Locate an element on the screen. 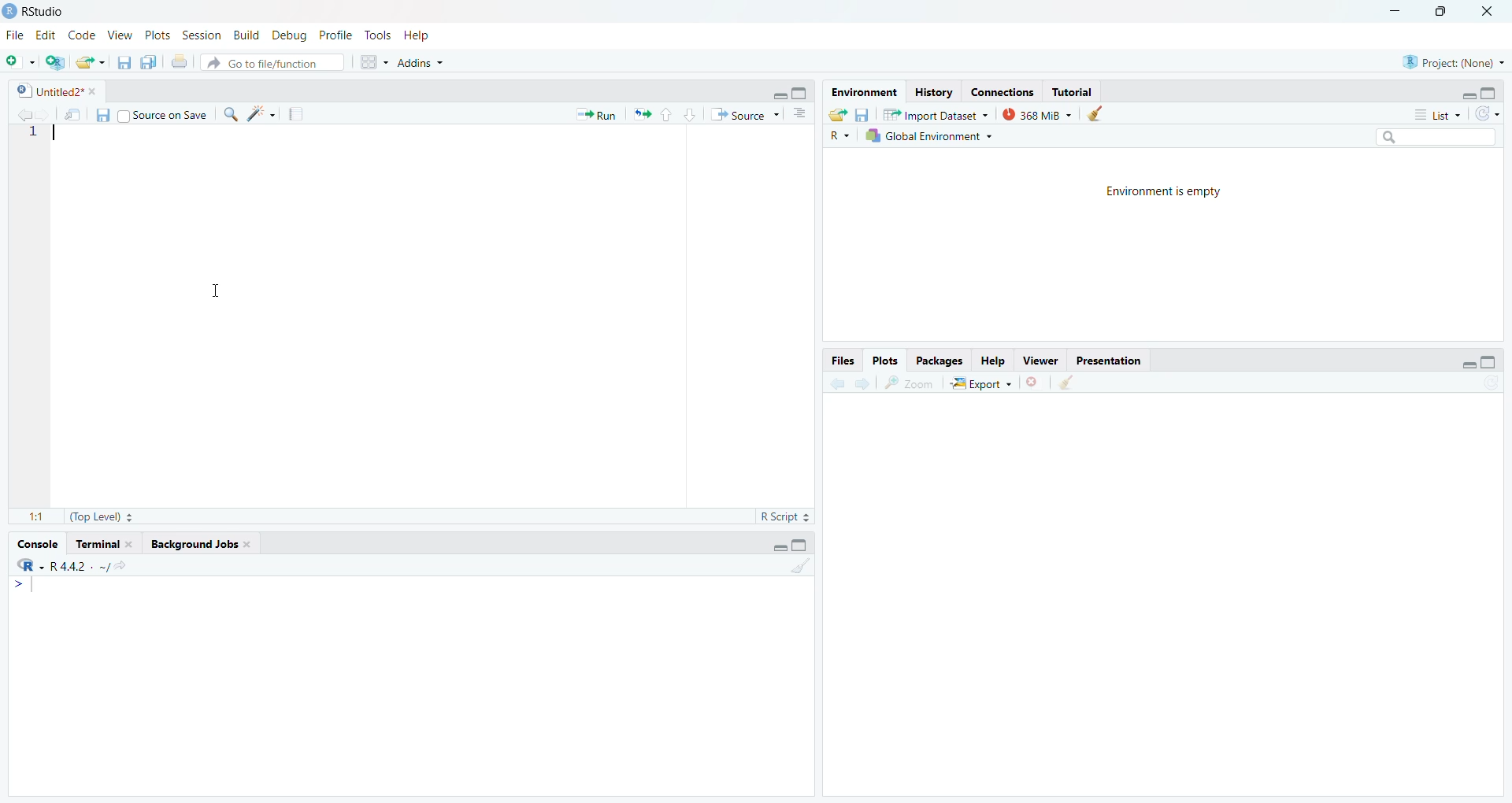 The image size is (1512, 803). e Tools is located at coordinates (376, 35).